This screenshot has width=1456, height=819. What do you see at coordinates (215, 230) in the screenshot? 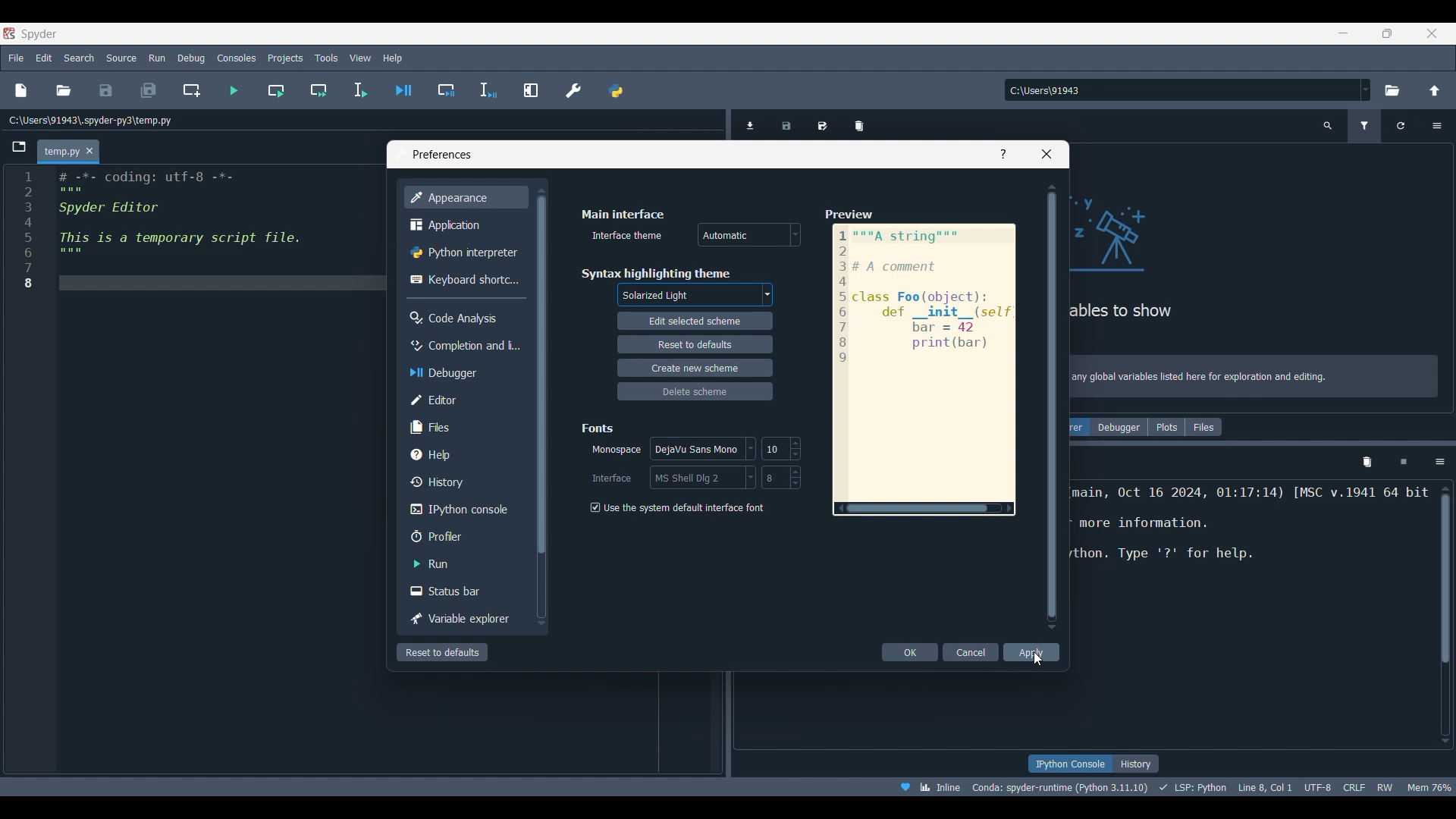
I see `editor pane` at bounding box center [215, 230].